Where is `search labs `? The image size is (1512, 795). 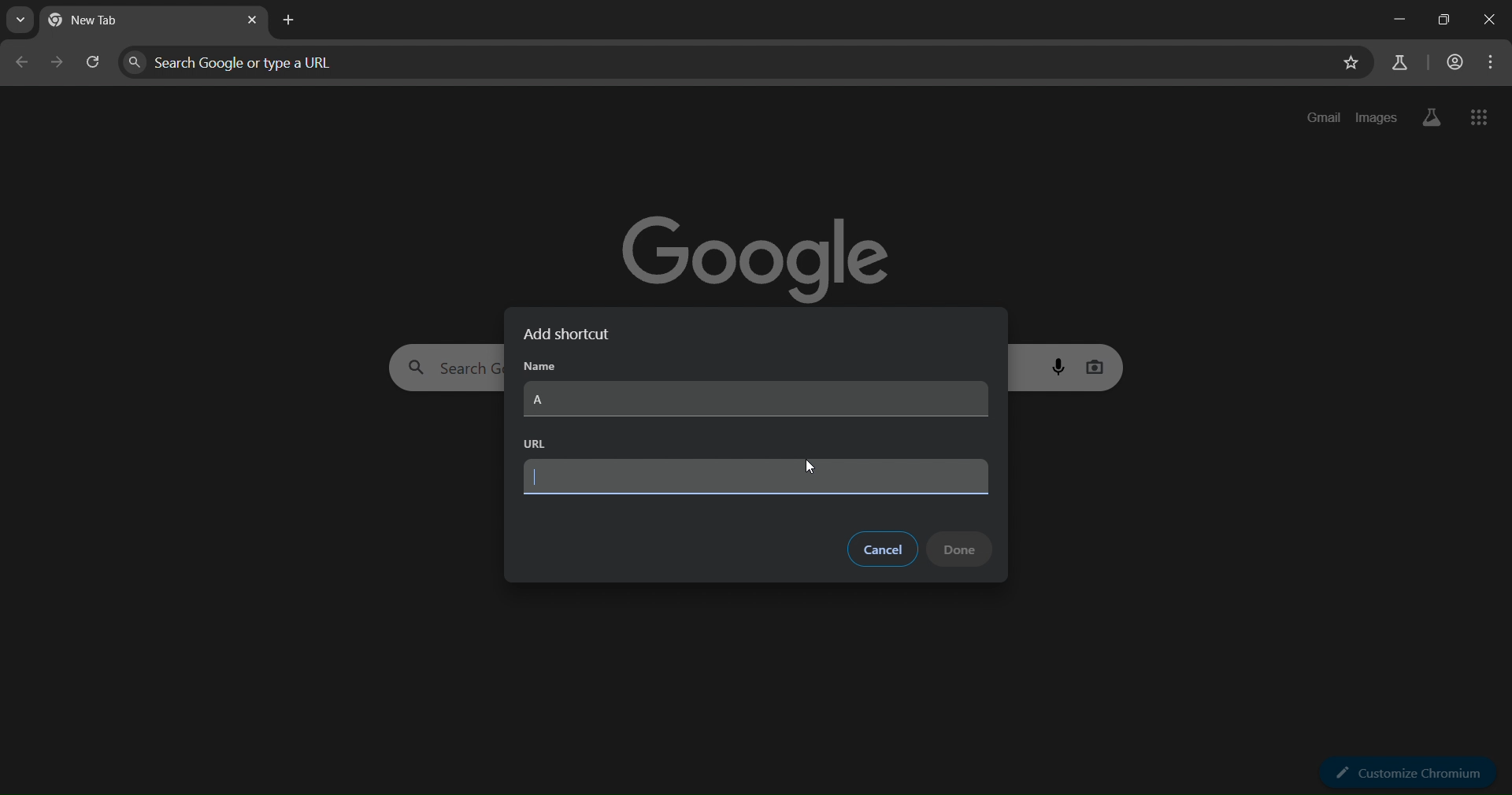 search labs  is located at coordinates (1428, 117).